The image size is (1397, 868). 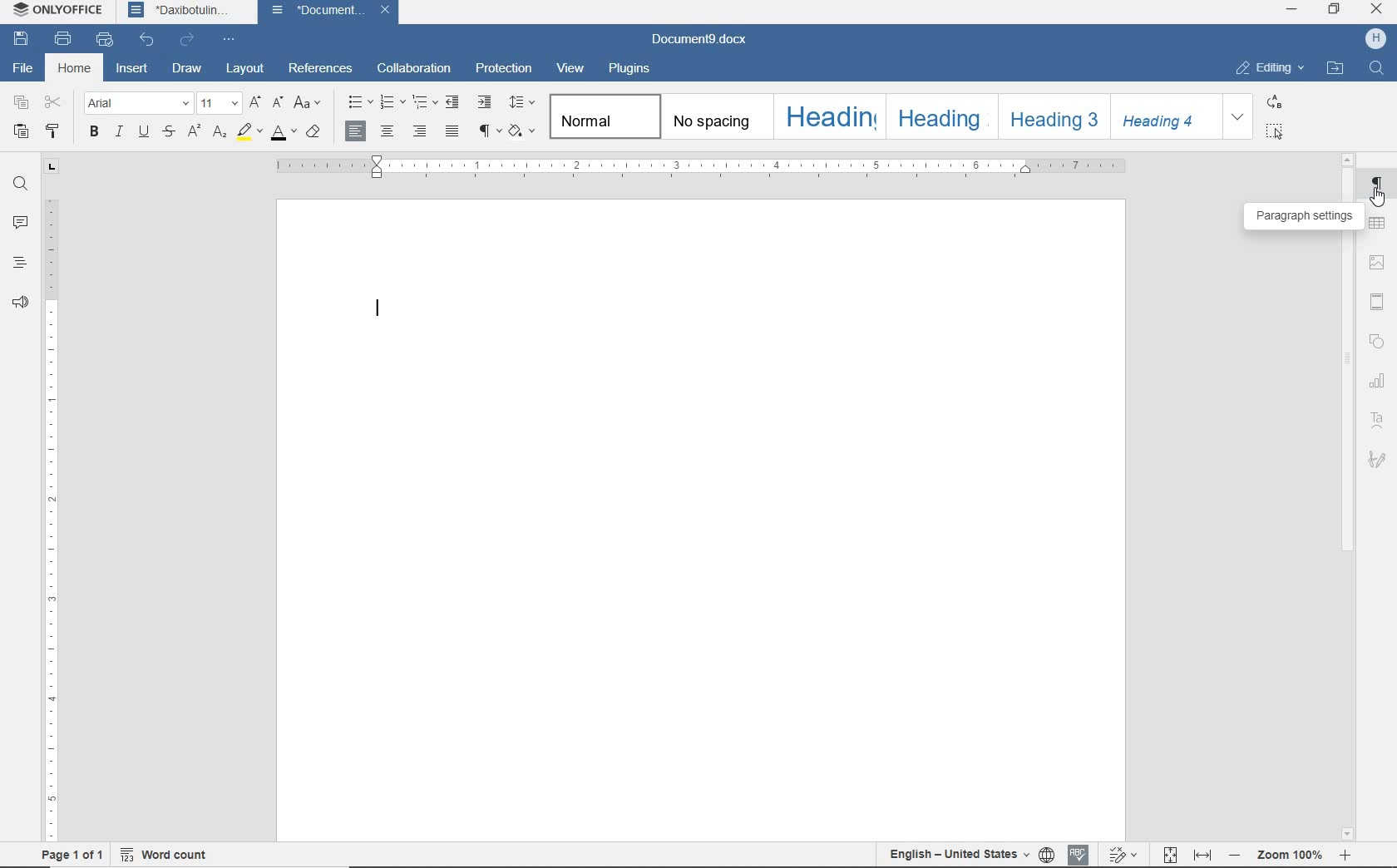 What do you see at coordinates (24, 72) in the screenshot?
I see `file` at bounding box center [24, 72].